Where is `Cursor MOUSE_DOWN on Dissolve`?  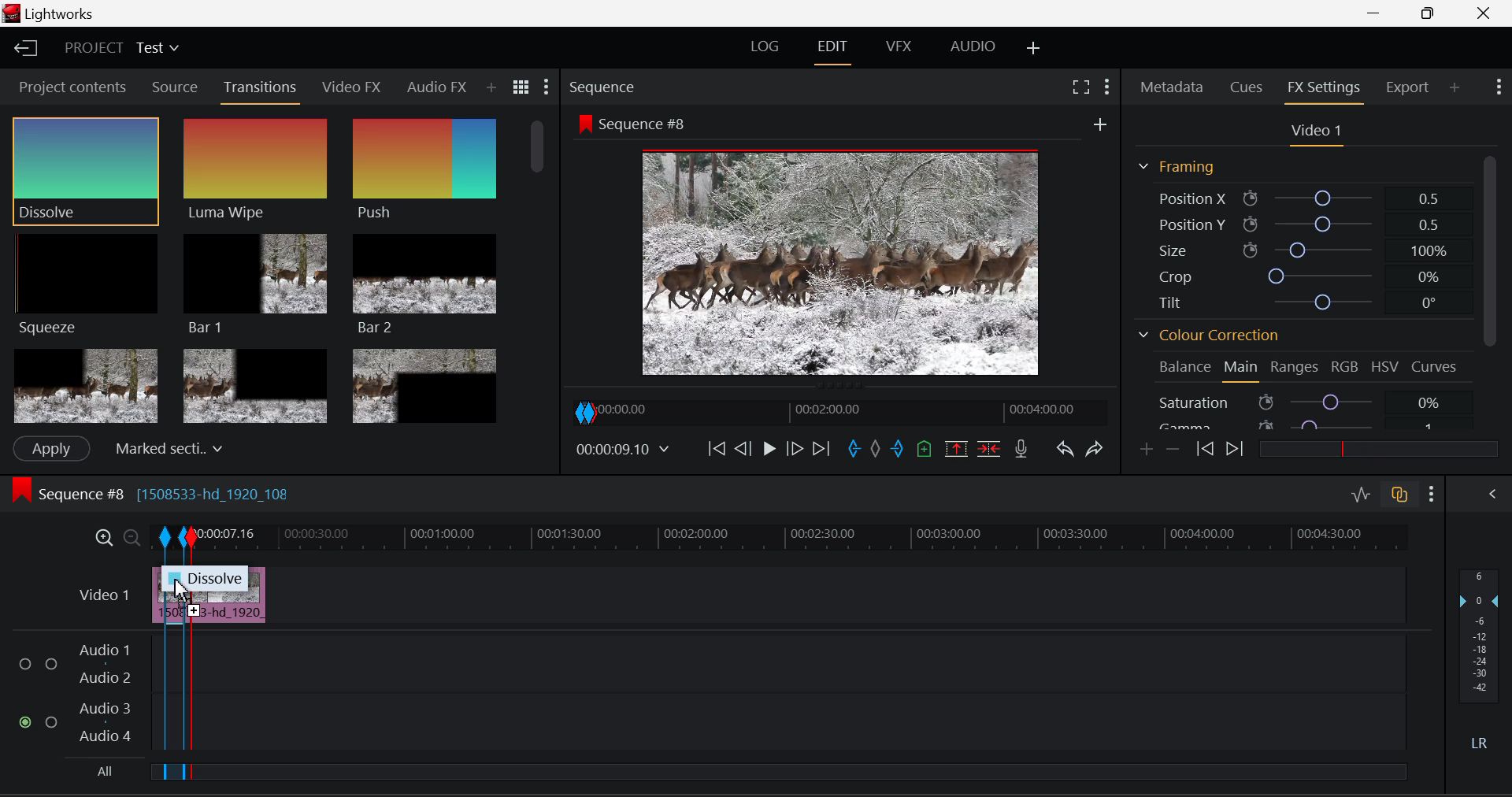
Cursor MOUSE_DOWN on Dissolve is located at coordinates (87, 170).